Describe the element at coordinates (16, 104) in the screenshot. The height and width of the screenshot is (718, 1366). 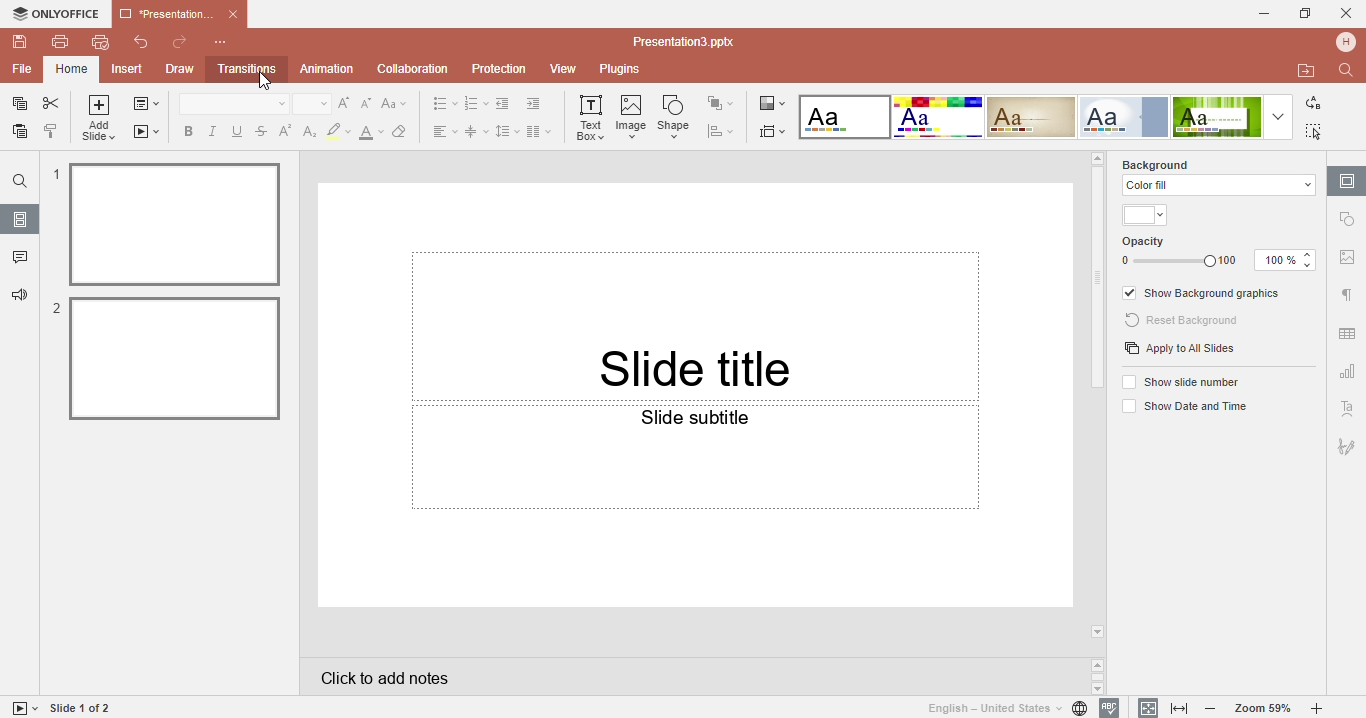
I see `Copy` at that location.